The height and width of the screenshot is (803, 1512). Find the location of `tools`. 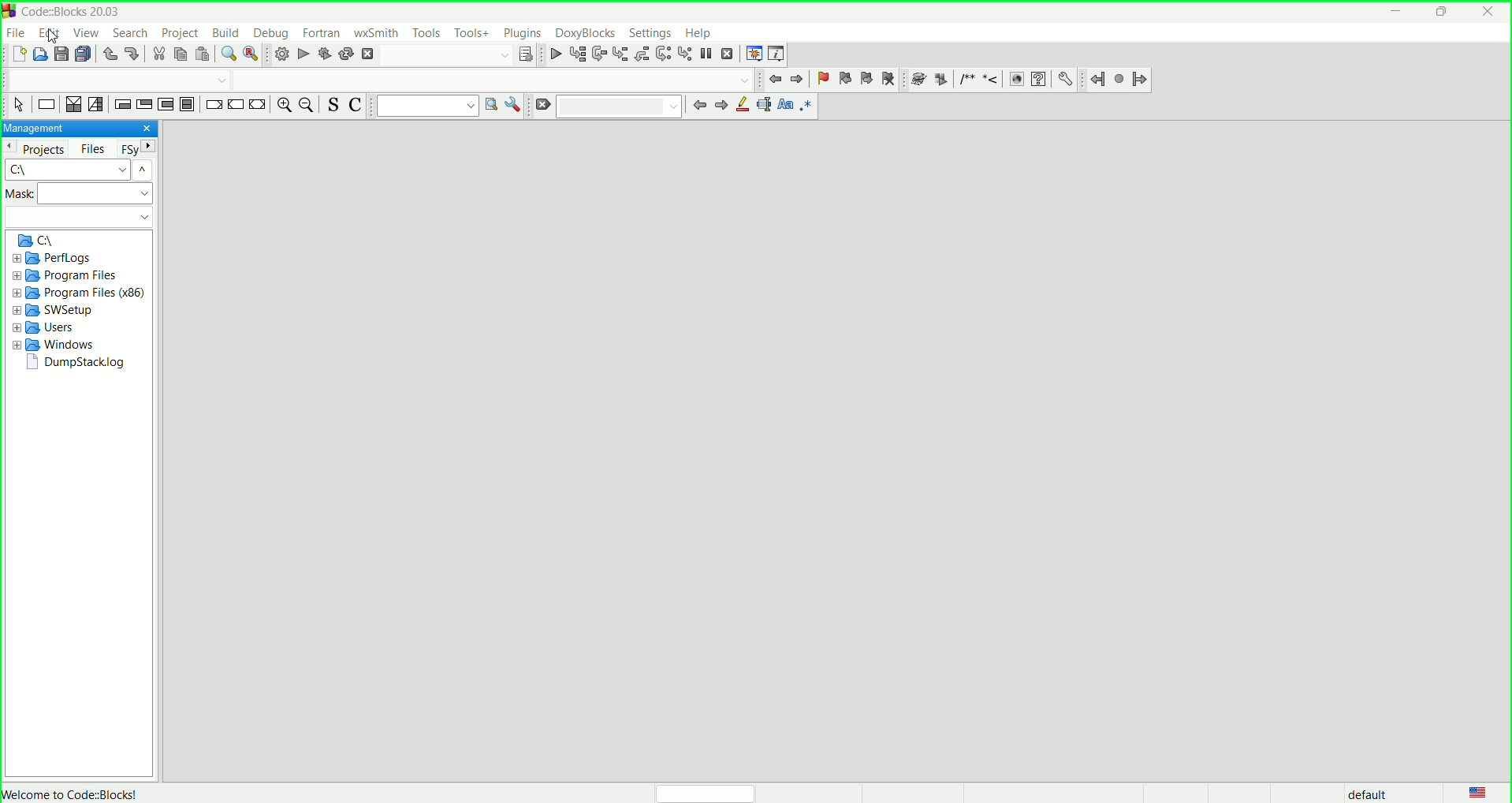

tools is located at coordinates (426, 32).